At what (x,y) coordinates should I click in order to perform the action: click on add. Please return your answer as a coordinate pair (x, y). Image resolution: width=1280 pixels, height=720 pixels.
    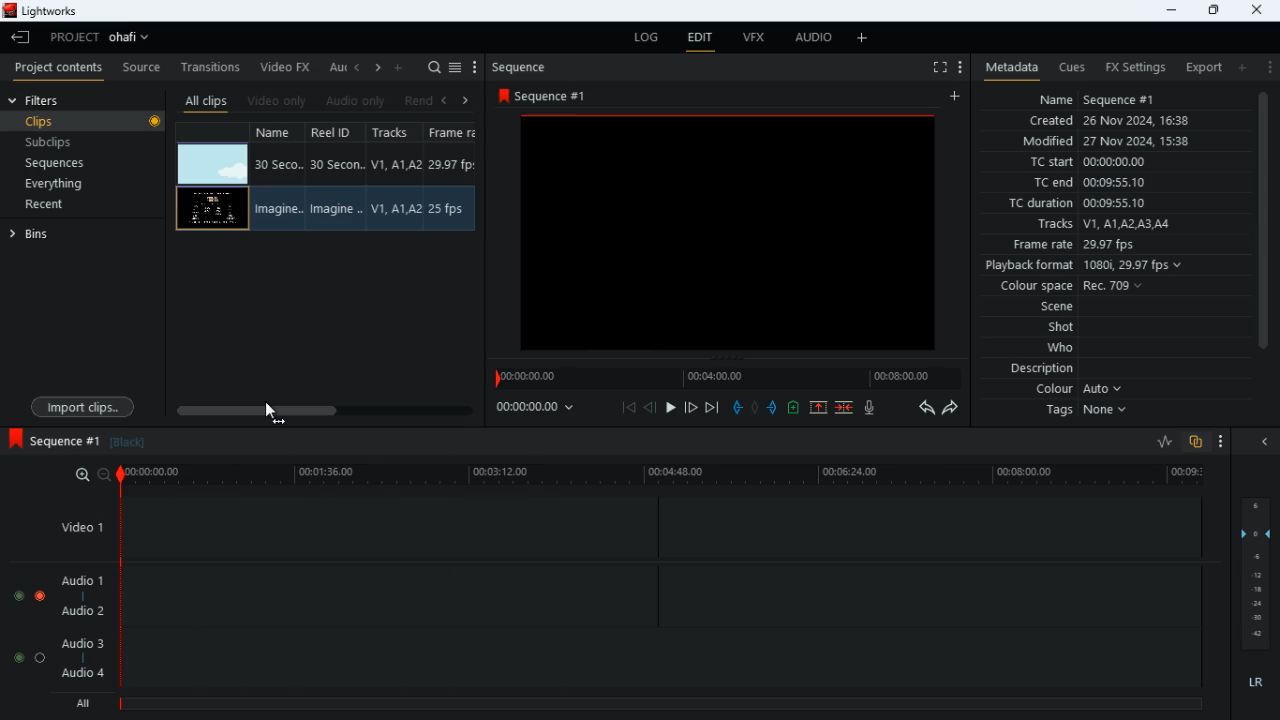
    Looking at the image, I should click on (1242, 68).